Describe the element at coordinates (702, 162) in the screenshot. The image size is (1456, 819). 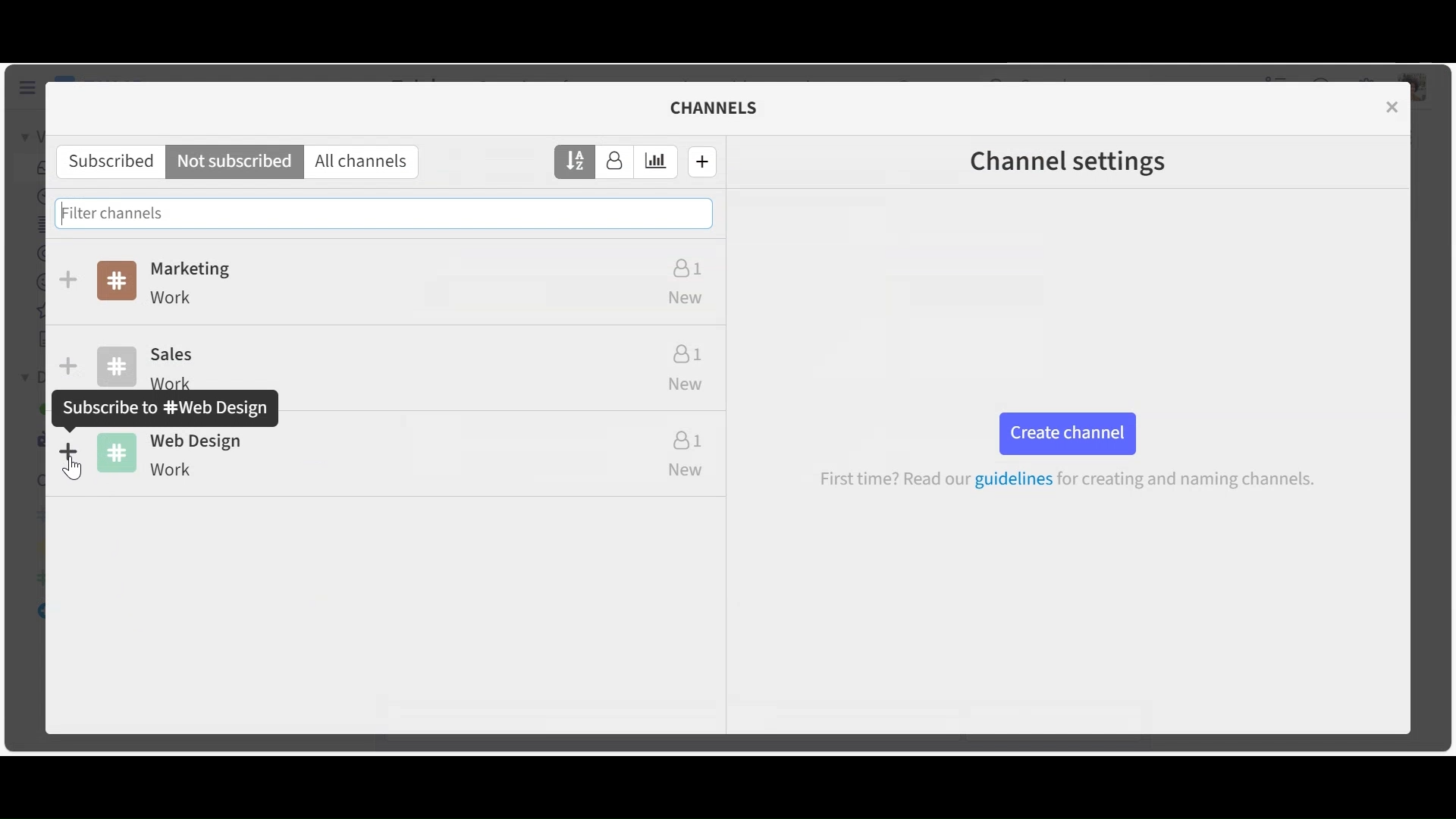
I see `Create a new channel` at that location.